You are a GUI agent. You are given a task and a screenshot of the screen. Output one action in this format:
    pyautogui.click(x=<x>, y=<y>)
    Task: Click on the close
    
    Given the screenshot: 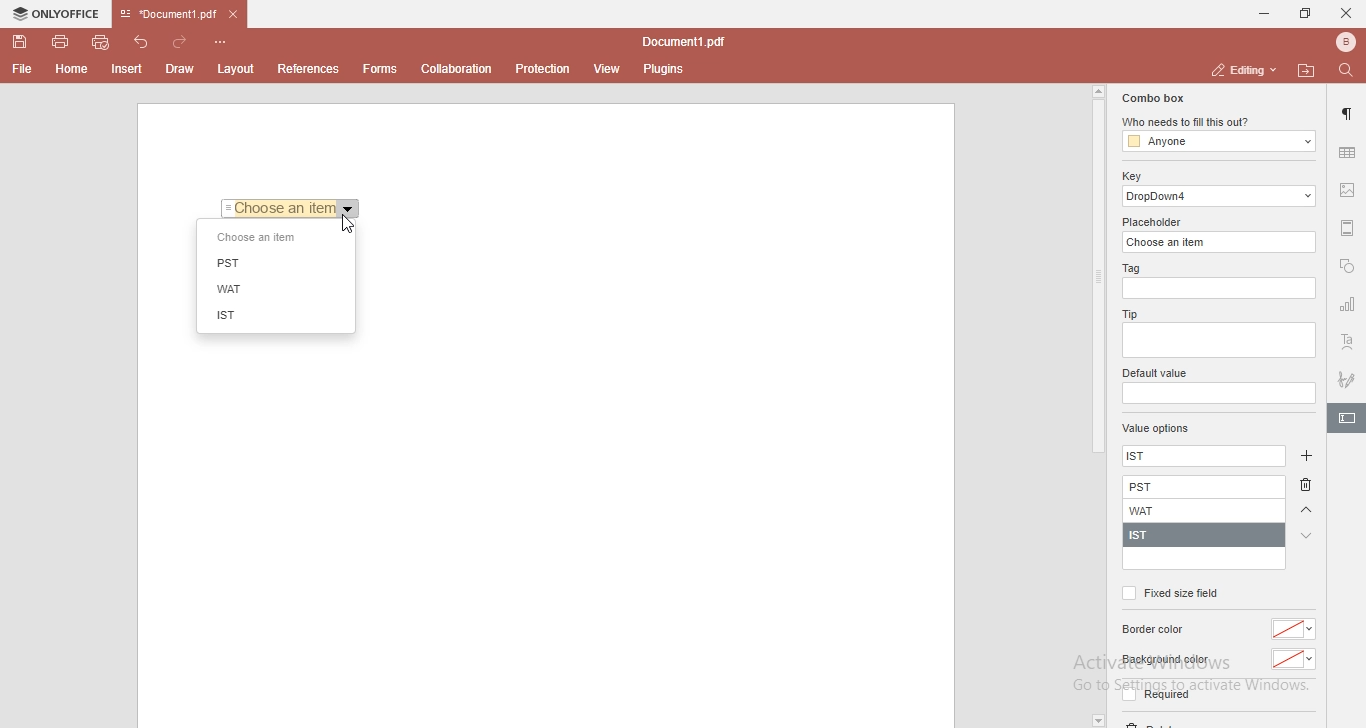 What is the action you would take?
    pyautogui.click(x=1346, y=12)
    